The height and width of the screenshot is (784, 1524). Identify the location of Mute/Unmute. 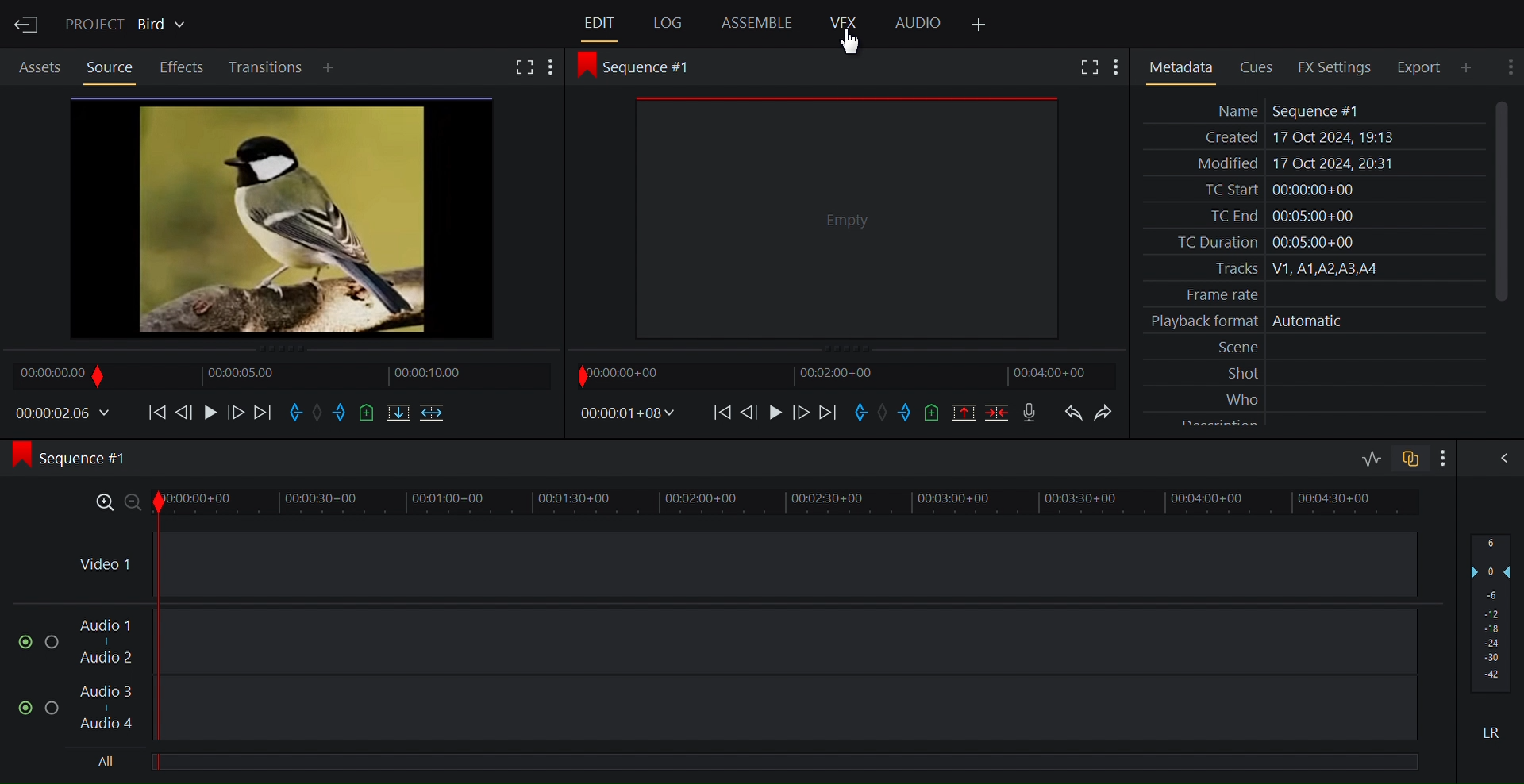
(23, 707).